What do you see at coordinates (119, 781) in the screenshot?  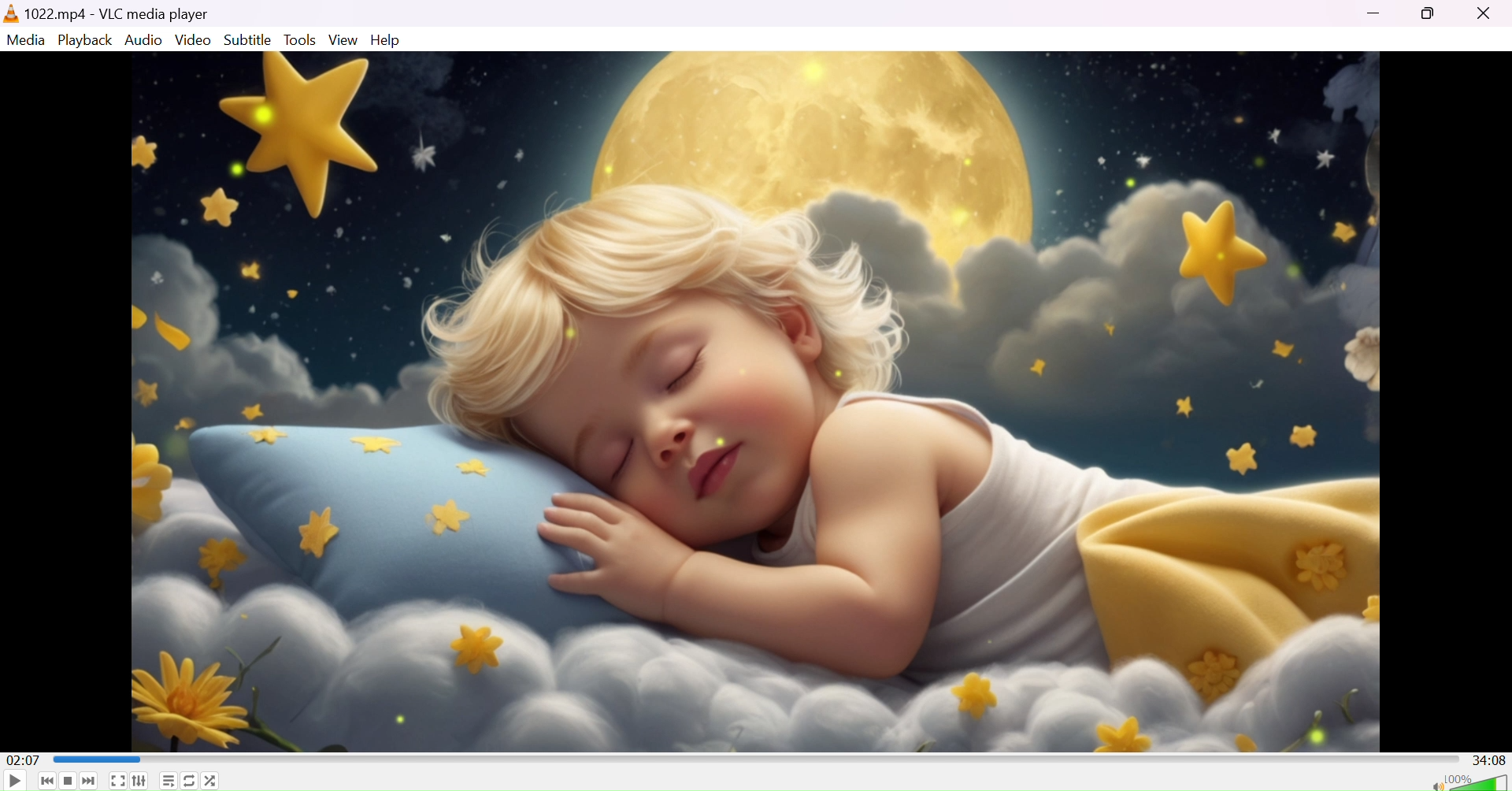 I see `Toggle the video in fullscreen` at bounding box center [119, 781].